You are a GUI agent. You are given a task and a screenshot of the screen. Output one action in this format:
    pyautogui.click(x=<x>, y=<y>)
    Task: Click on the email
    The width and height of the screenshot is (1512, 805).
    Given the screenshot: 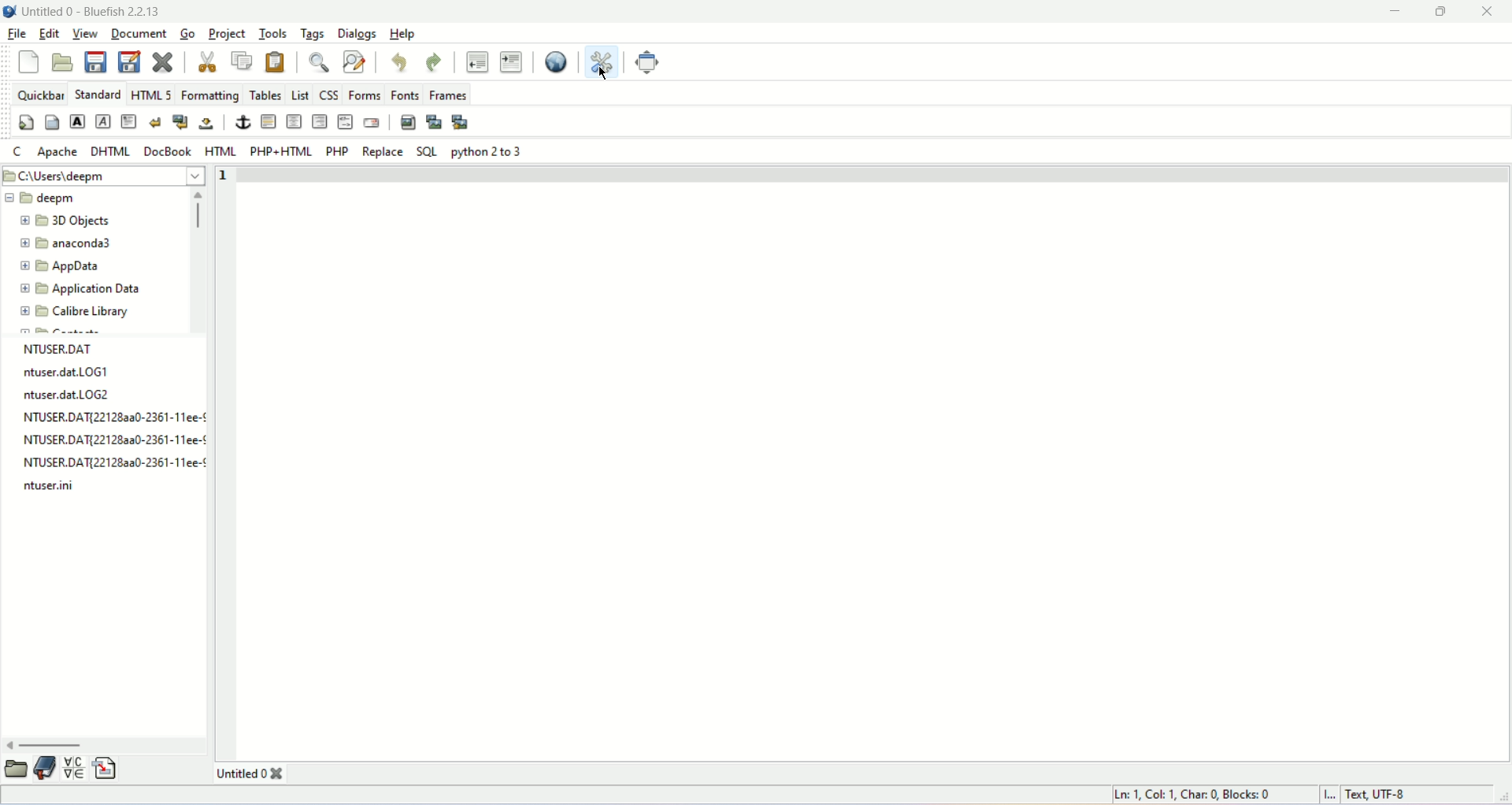 What is the action you would take?
    pyautogui.click(x=372, y=123)
    